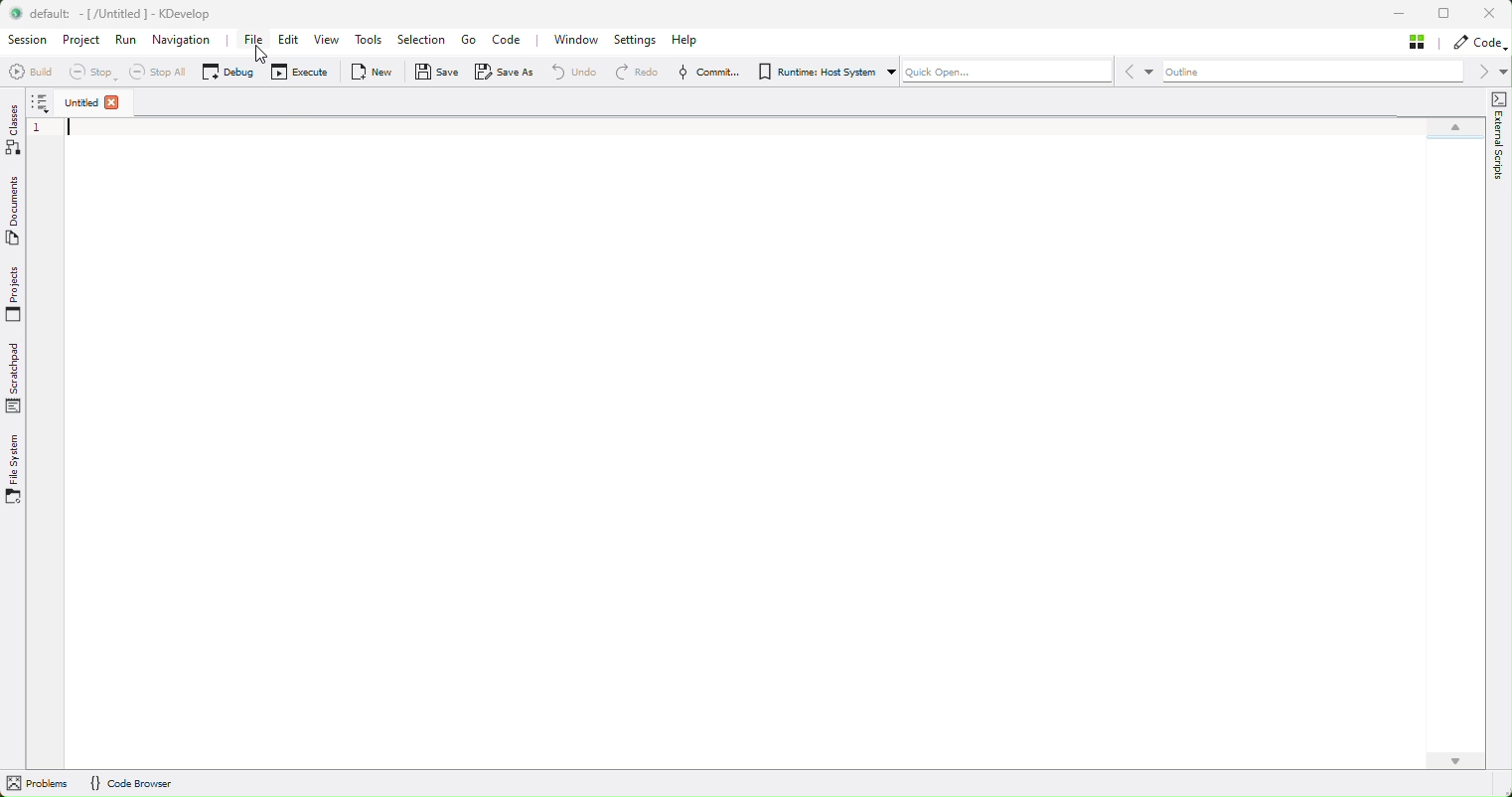  Describe the element at coordinates (80, 101) in the screenshot. I see `untitled` at that location.